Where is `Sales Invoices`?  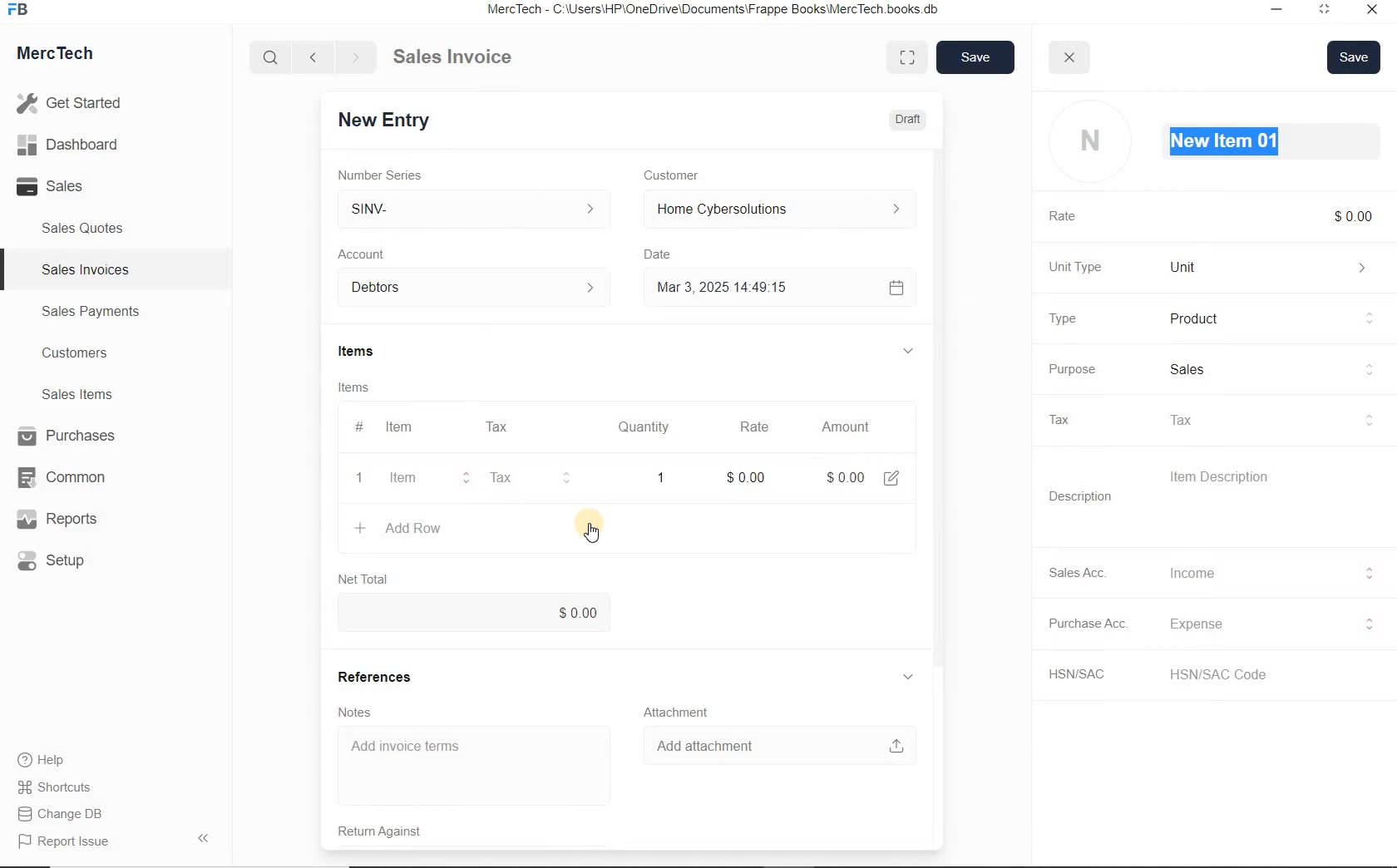
Sales Invoices is located at coordinates (86, 269).